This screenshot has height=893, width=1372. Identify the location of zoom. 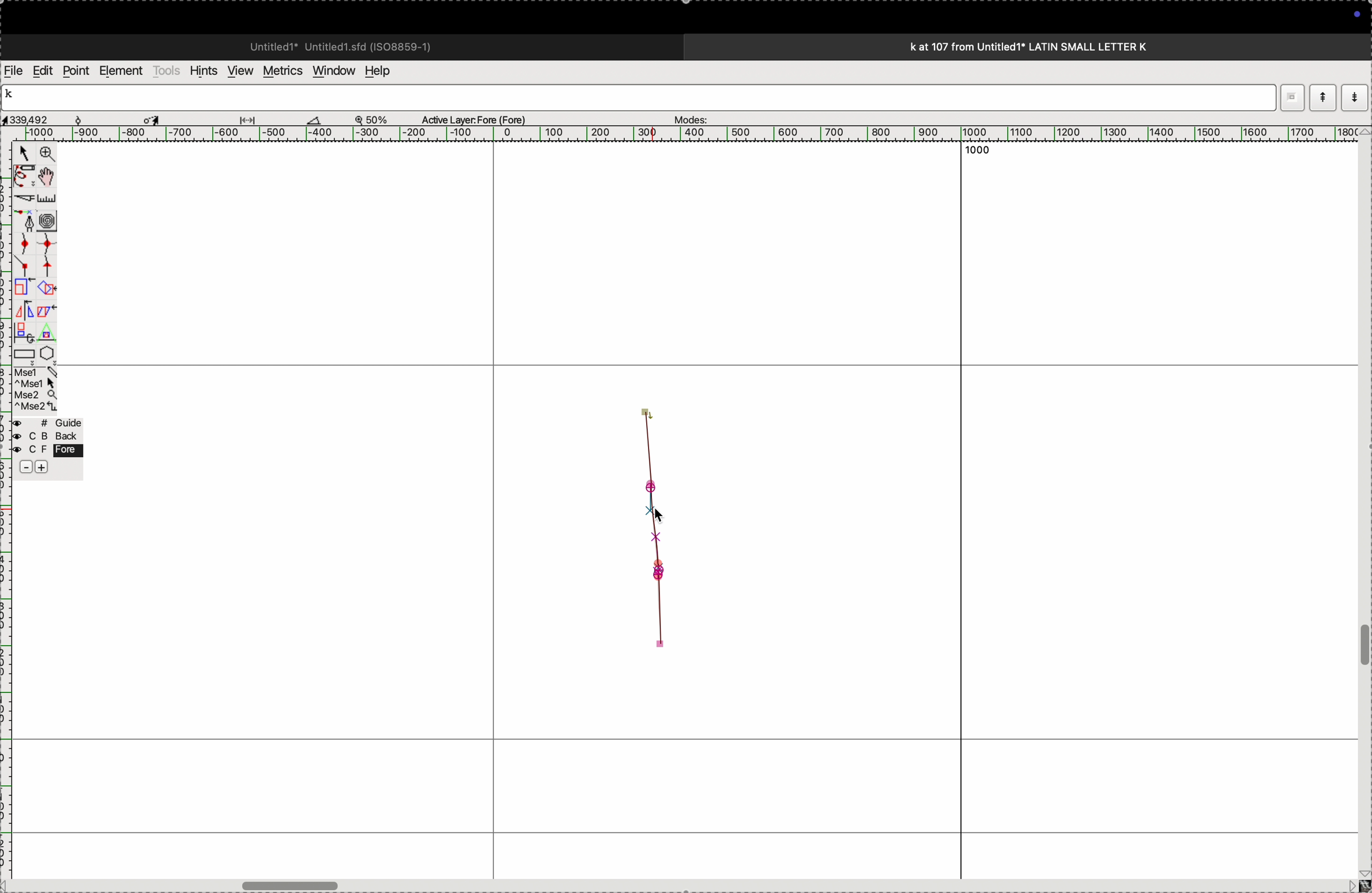
(45, 155).